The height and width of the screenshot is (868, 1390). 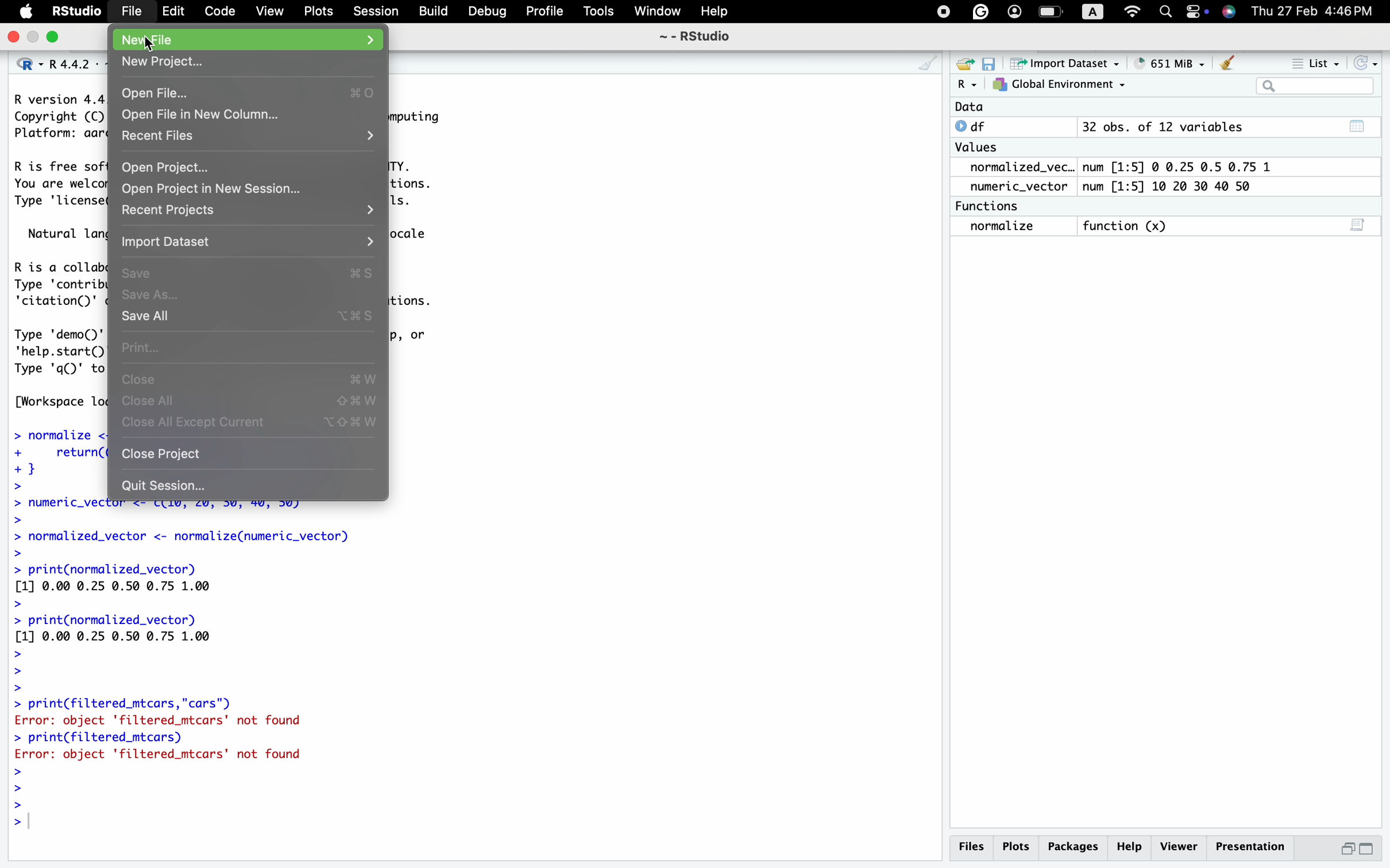 I want to click on logo, so click(x=26, y=12).